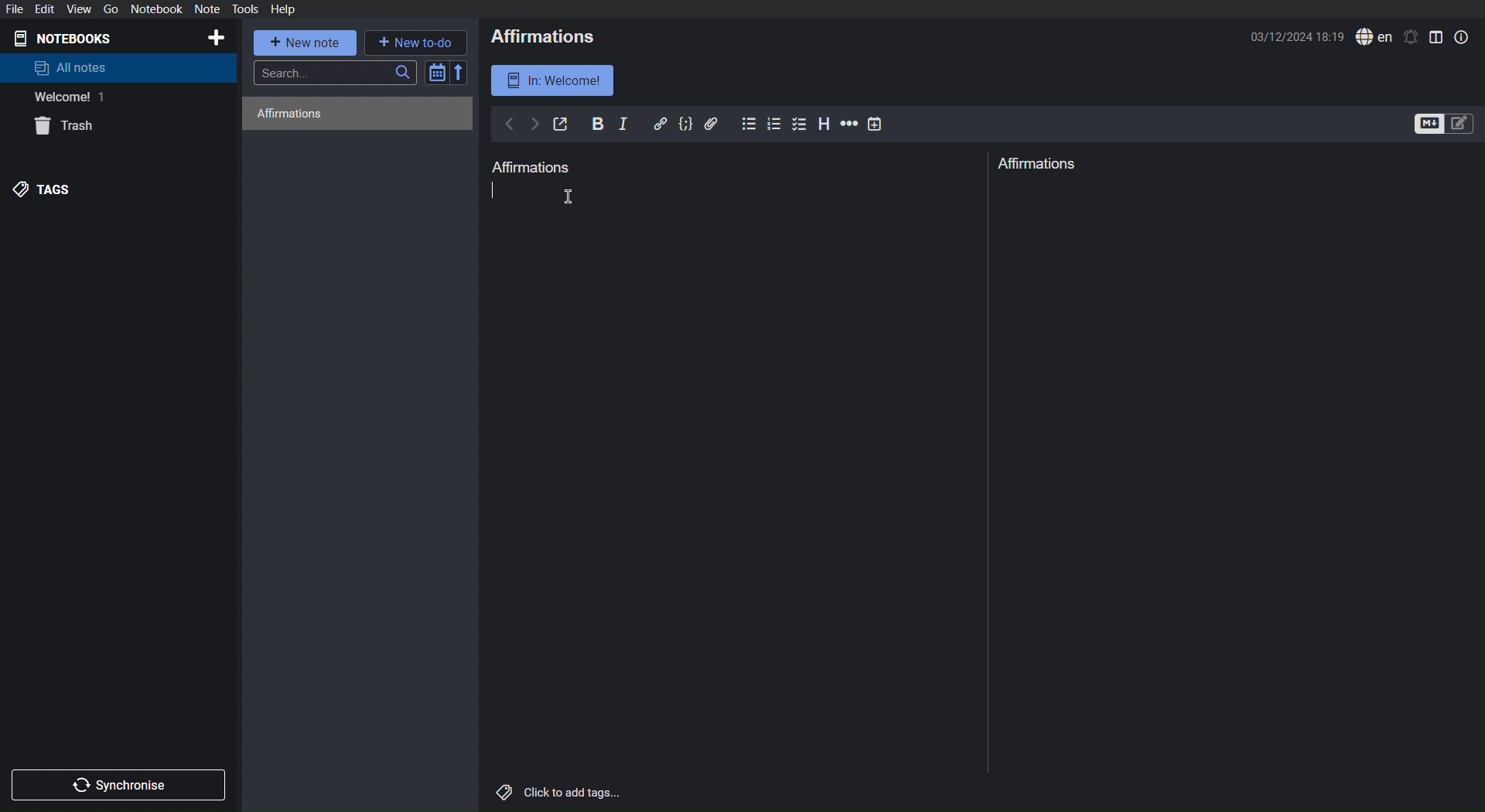 The width and height of the screenshot is (1485, 812). I want to click on Search, so click(336, 73).